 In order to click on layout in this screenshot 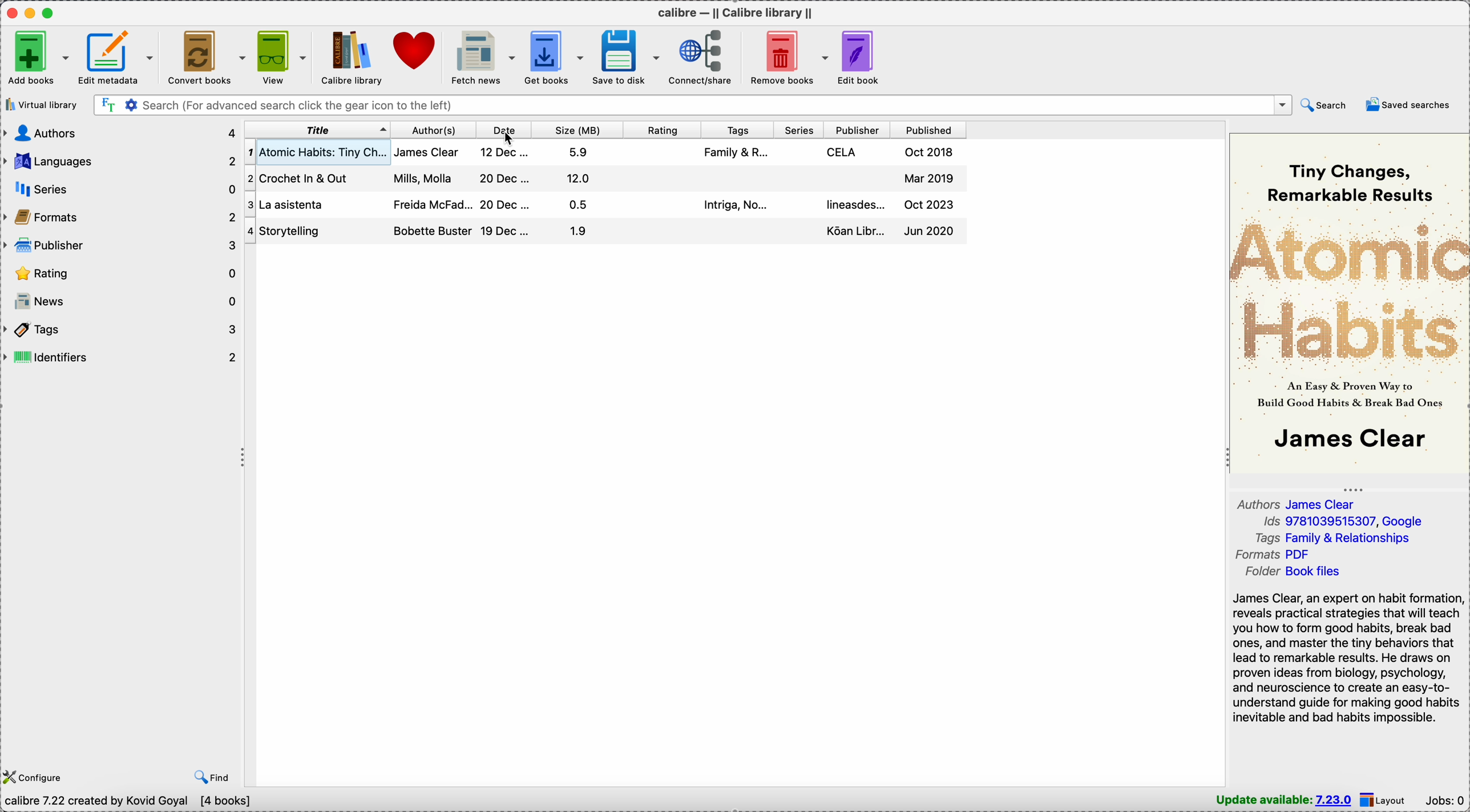, I will do `click(1386, 801)`.